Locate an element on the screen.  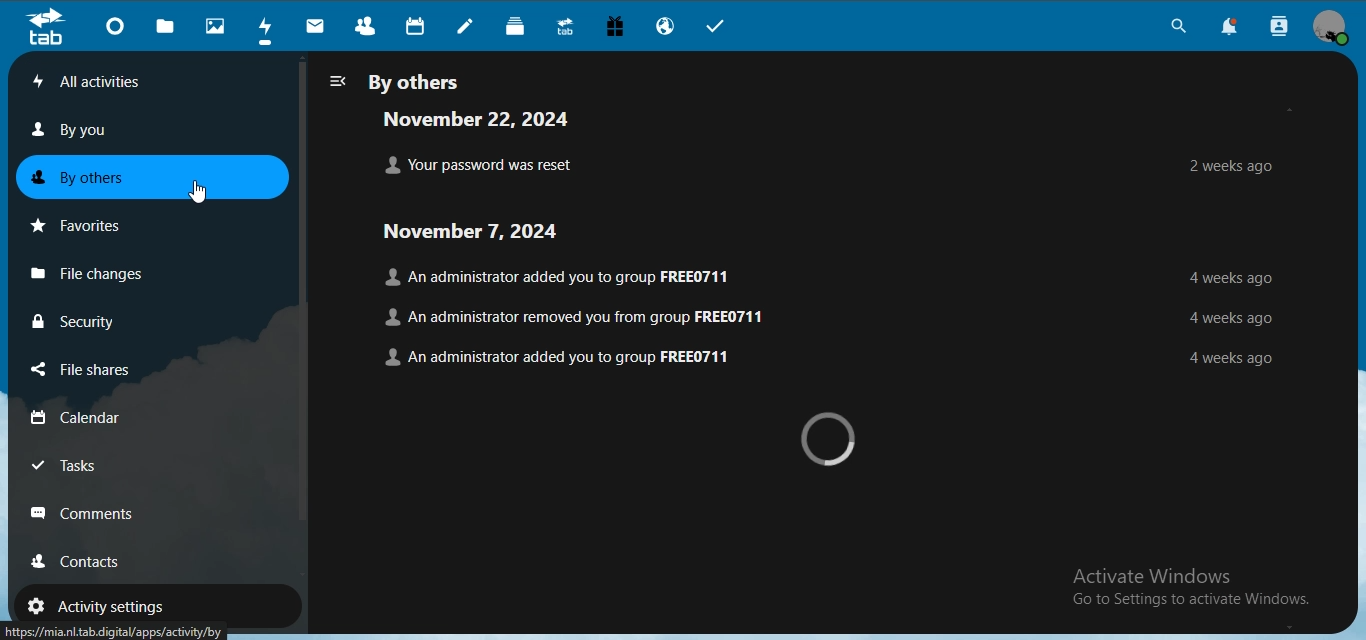
By others is located at coordinates (400, 80).